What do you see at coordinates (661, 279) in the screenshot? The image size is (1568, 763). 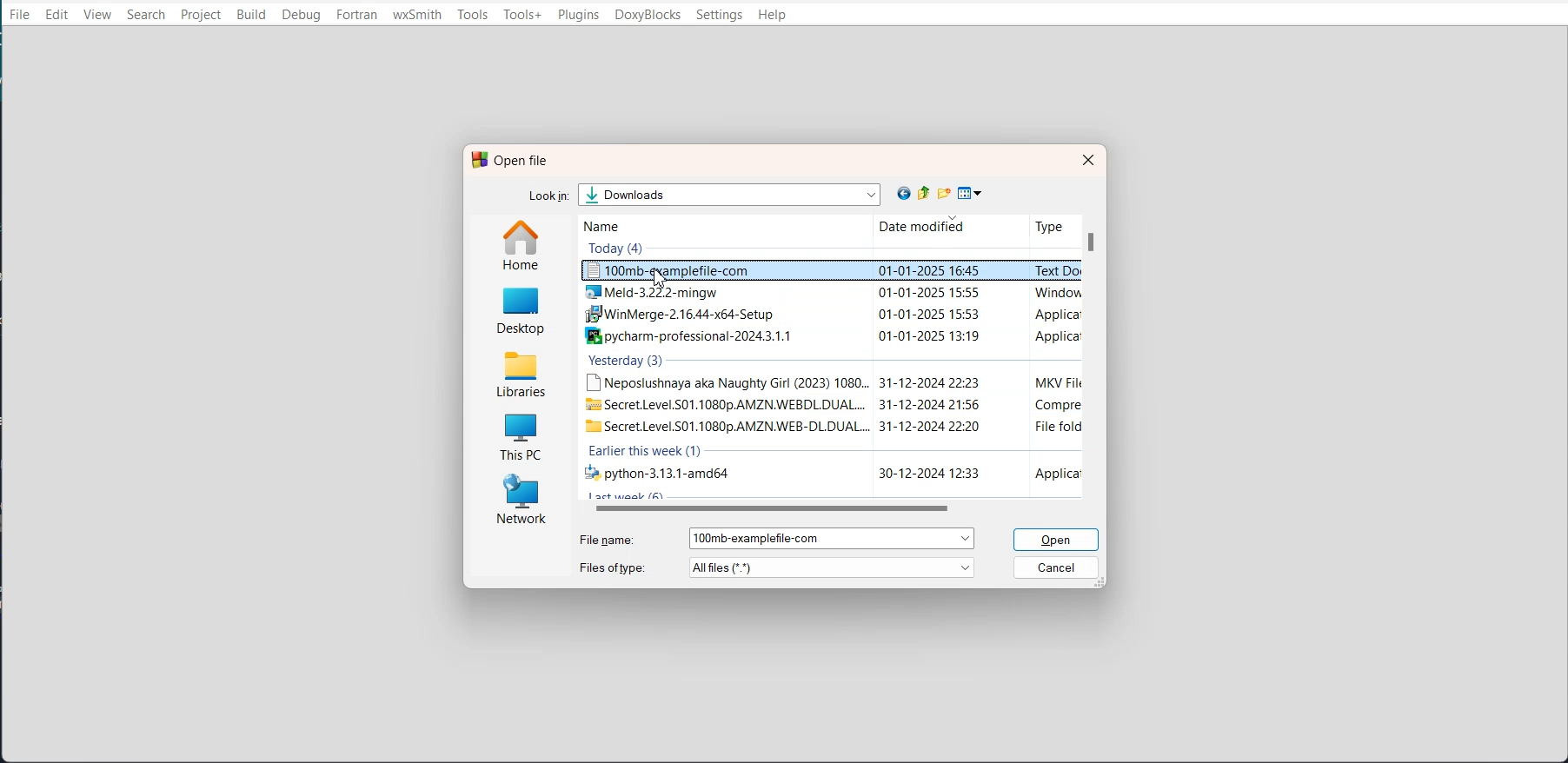 I see `Cursor` at bounding box center [661, 279].